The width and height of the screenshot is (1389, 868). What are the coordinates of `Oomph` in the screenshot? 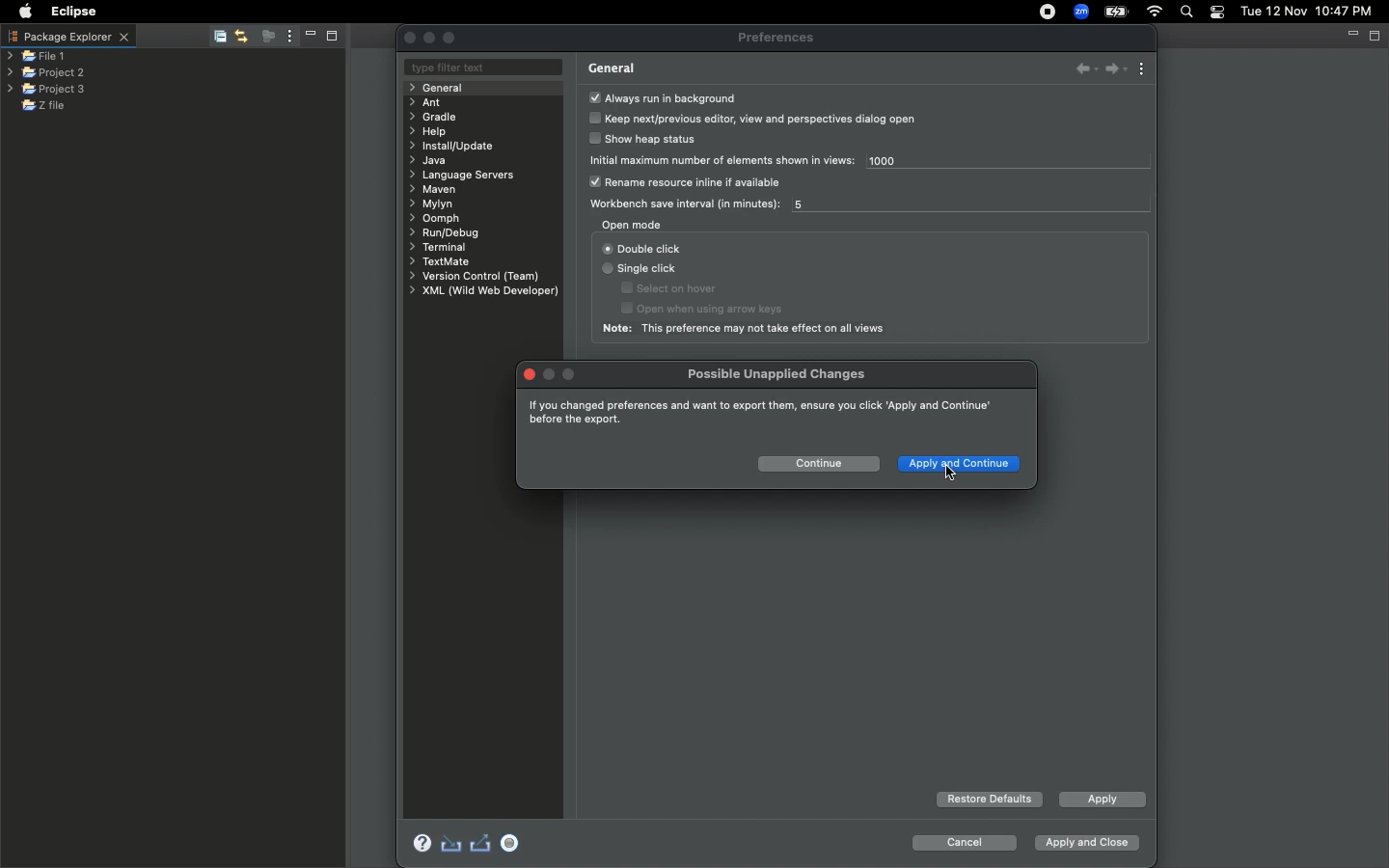 It's located at (437, 220).